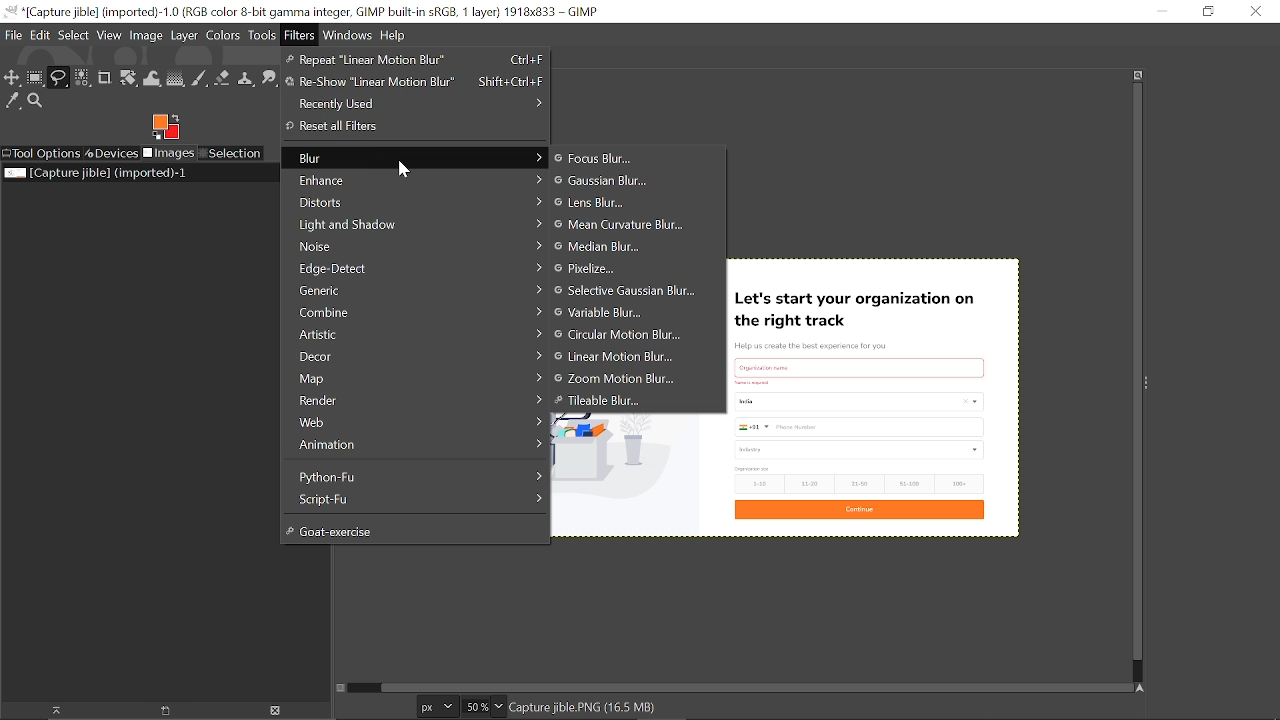 This screenshot has height=720, width=1280. Describe the element at coordinates (13, 102) in the screenshot. I see `Color picker tool` at that location.